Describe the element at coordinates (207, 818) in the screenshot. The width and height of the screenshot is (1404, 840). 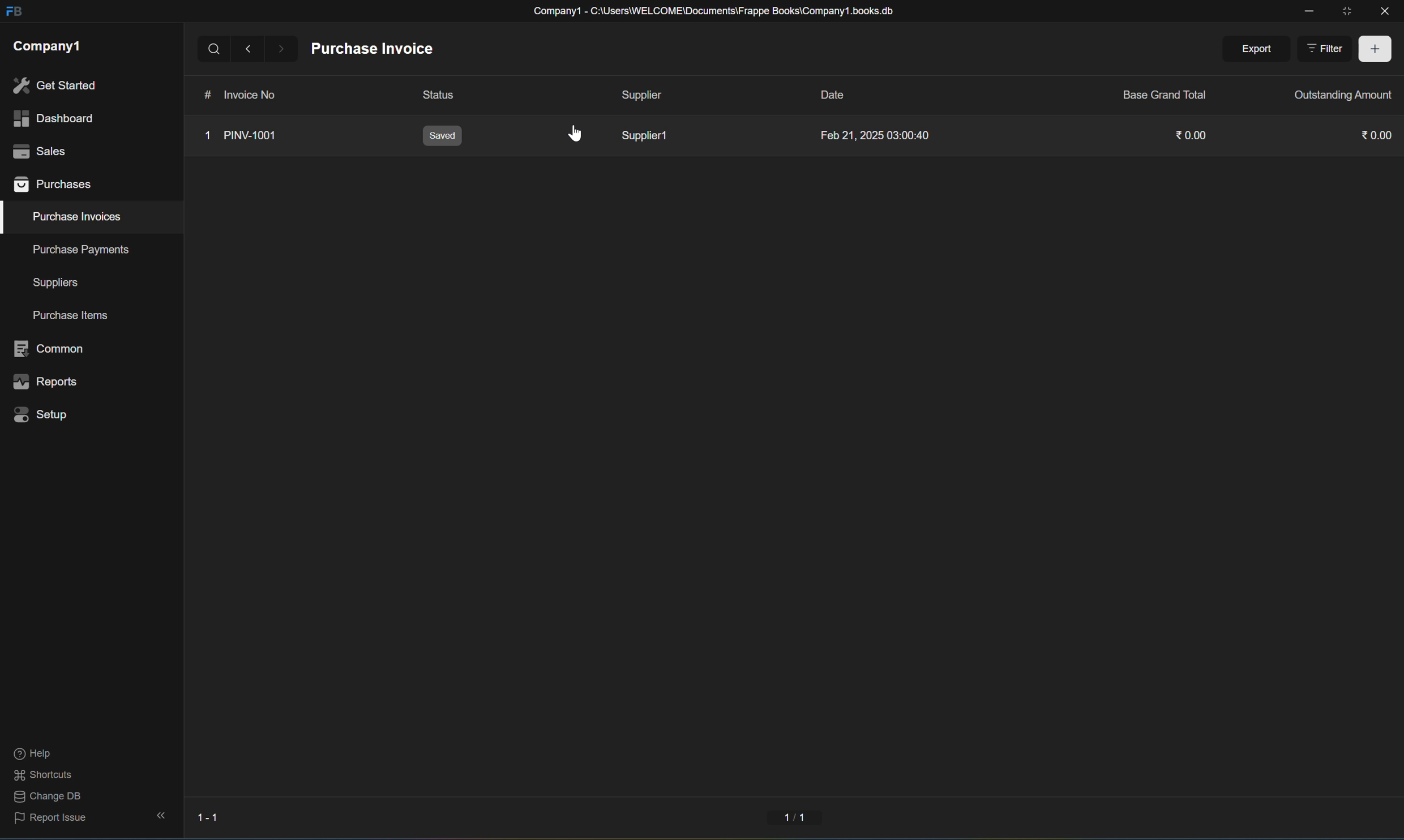
I see `1-1` at that location.